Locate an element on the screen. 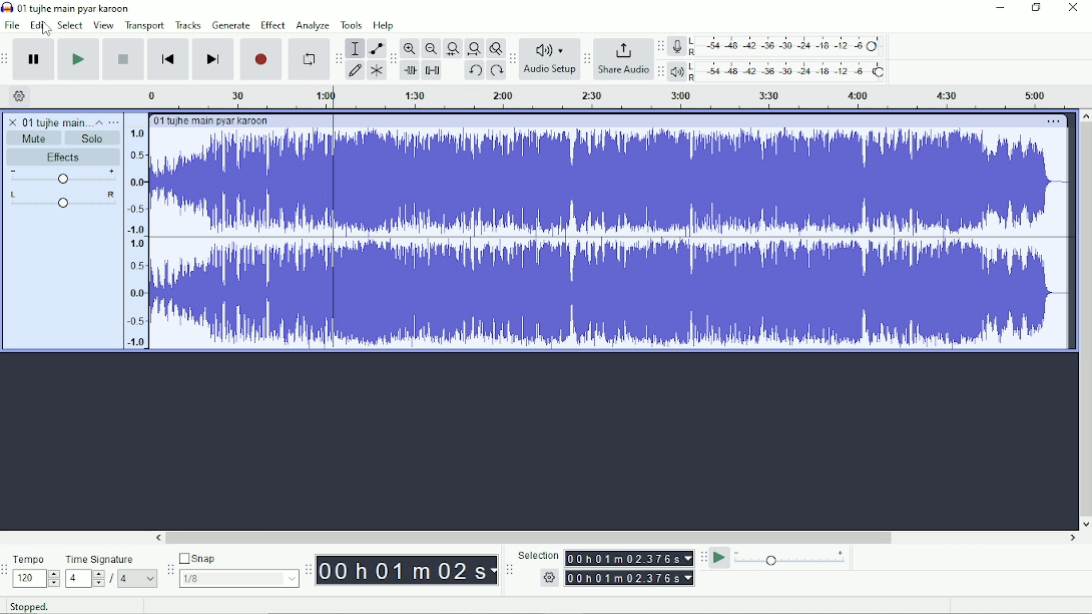 The height and width of the screenshot is (614, 1092). Tools is located at coordinates (351, 25).